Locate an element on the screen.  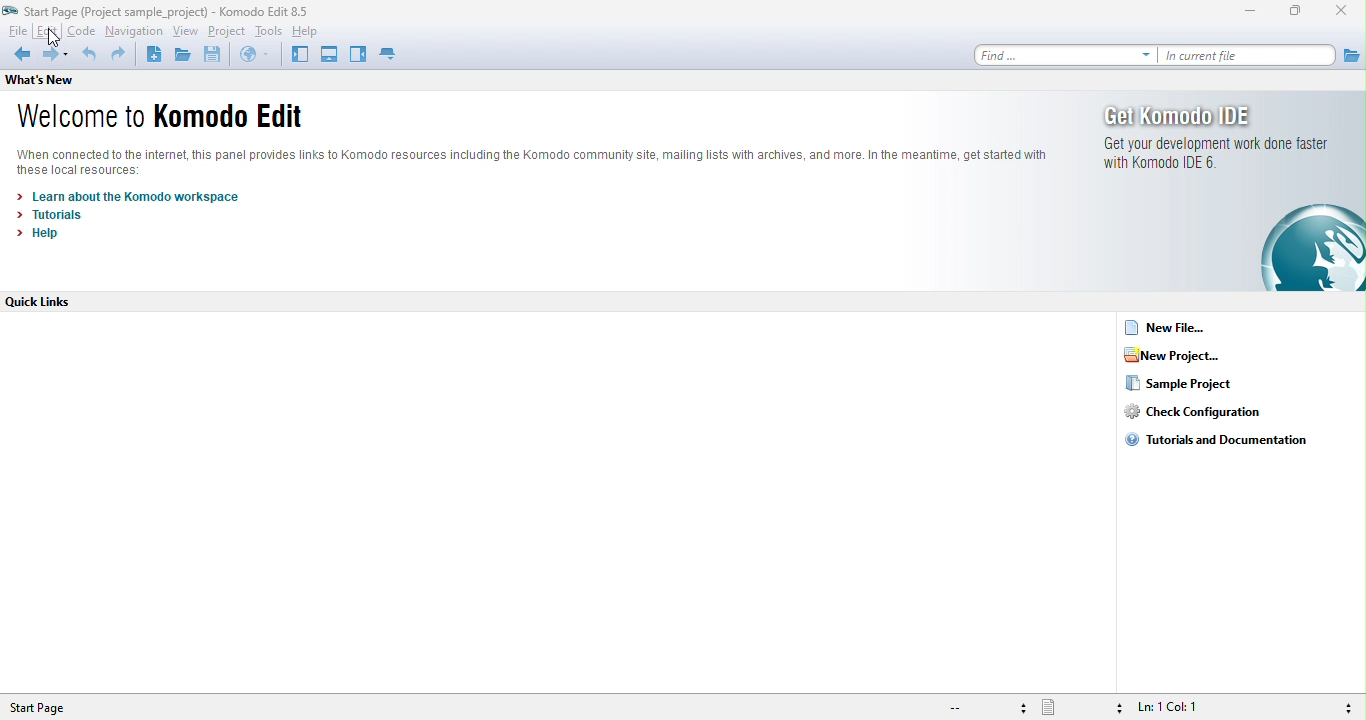
ln 1, col 1 is located at coordinates (1189, 707).